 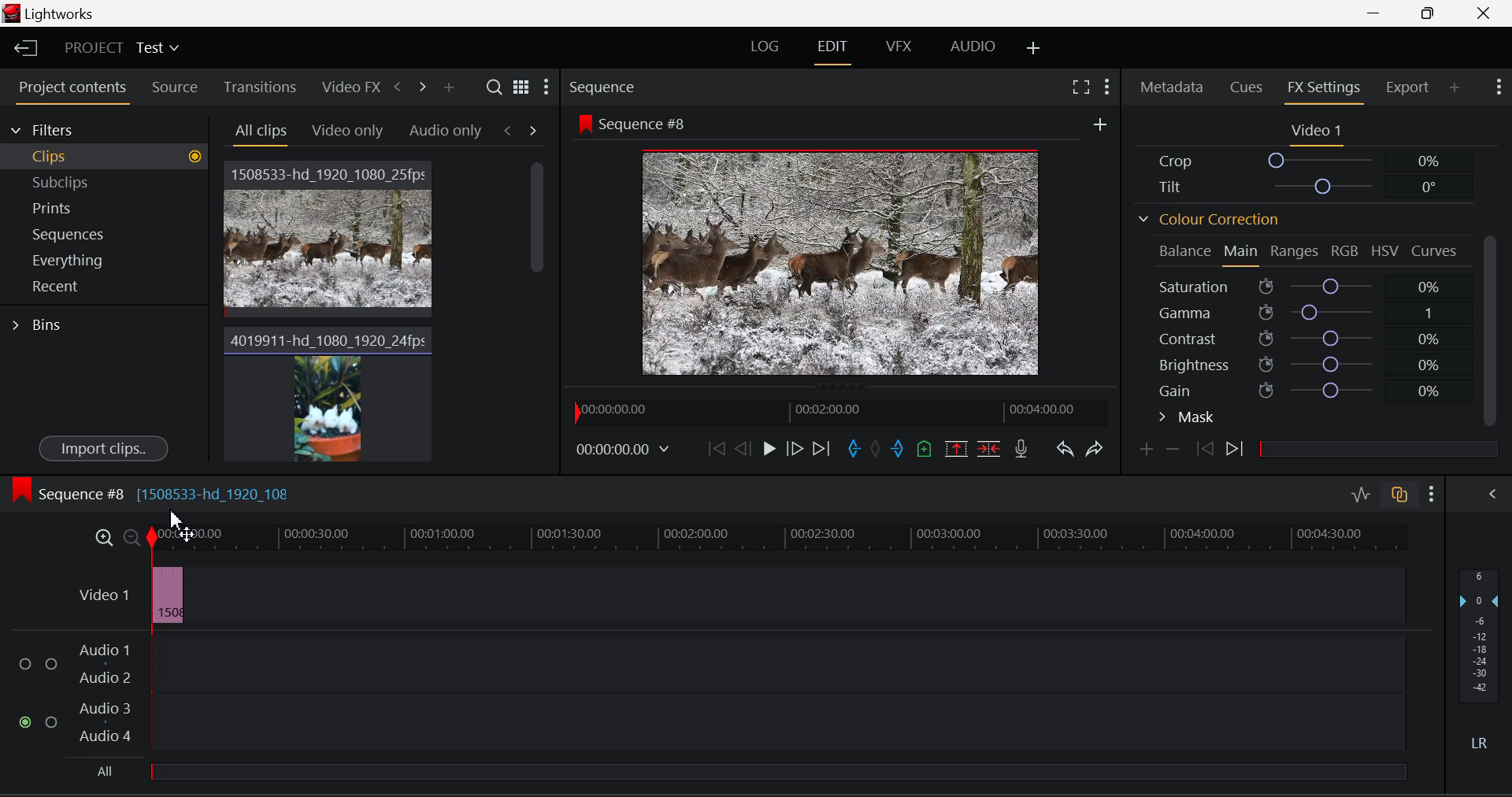 What do you see at coordinates (124, 49) in the screenshot?
I see `Project Title` at bounding box center [124, 49].